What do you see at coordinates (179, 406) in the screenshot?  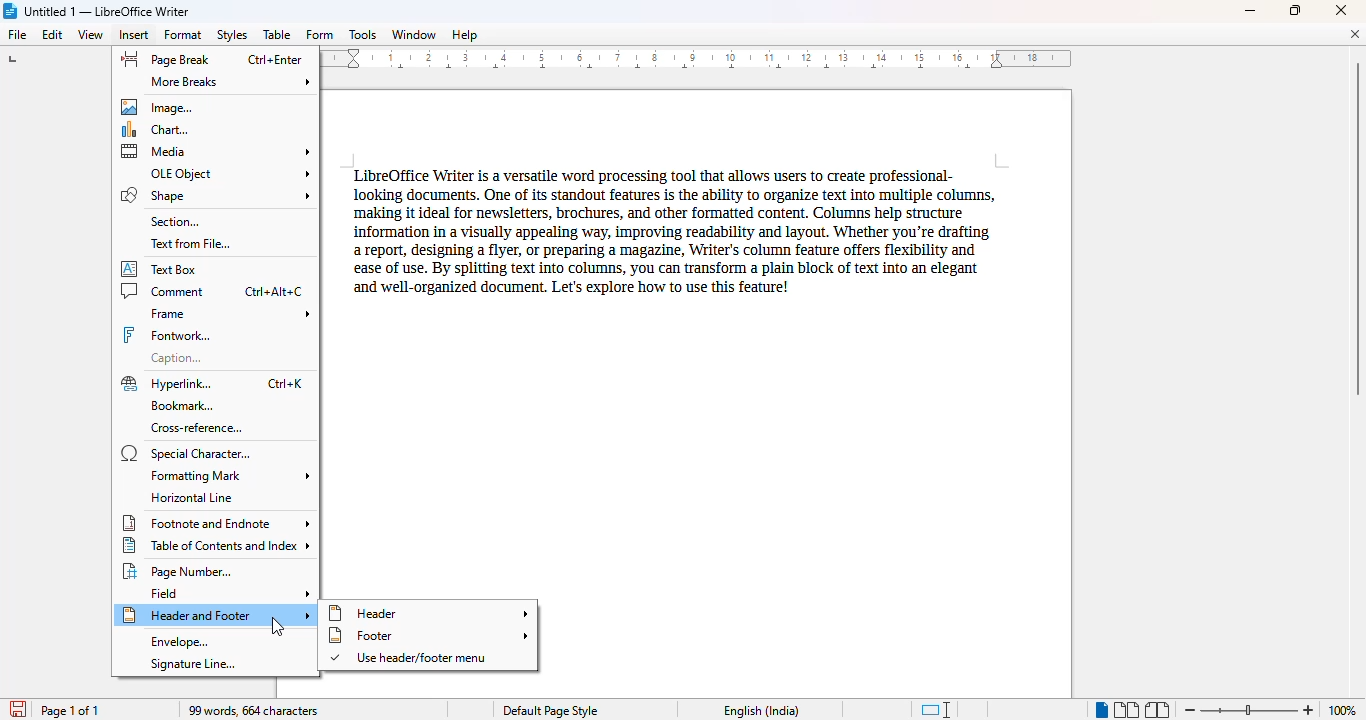 I see `bookmark` at bounding box center [179, 406].